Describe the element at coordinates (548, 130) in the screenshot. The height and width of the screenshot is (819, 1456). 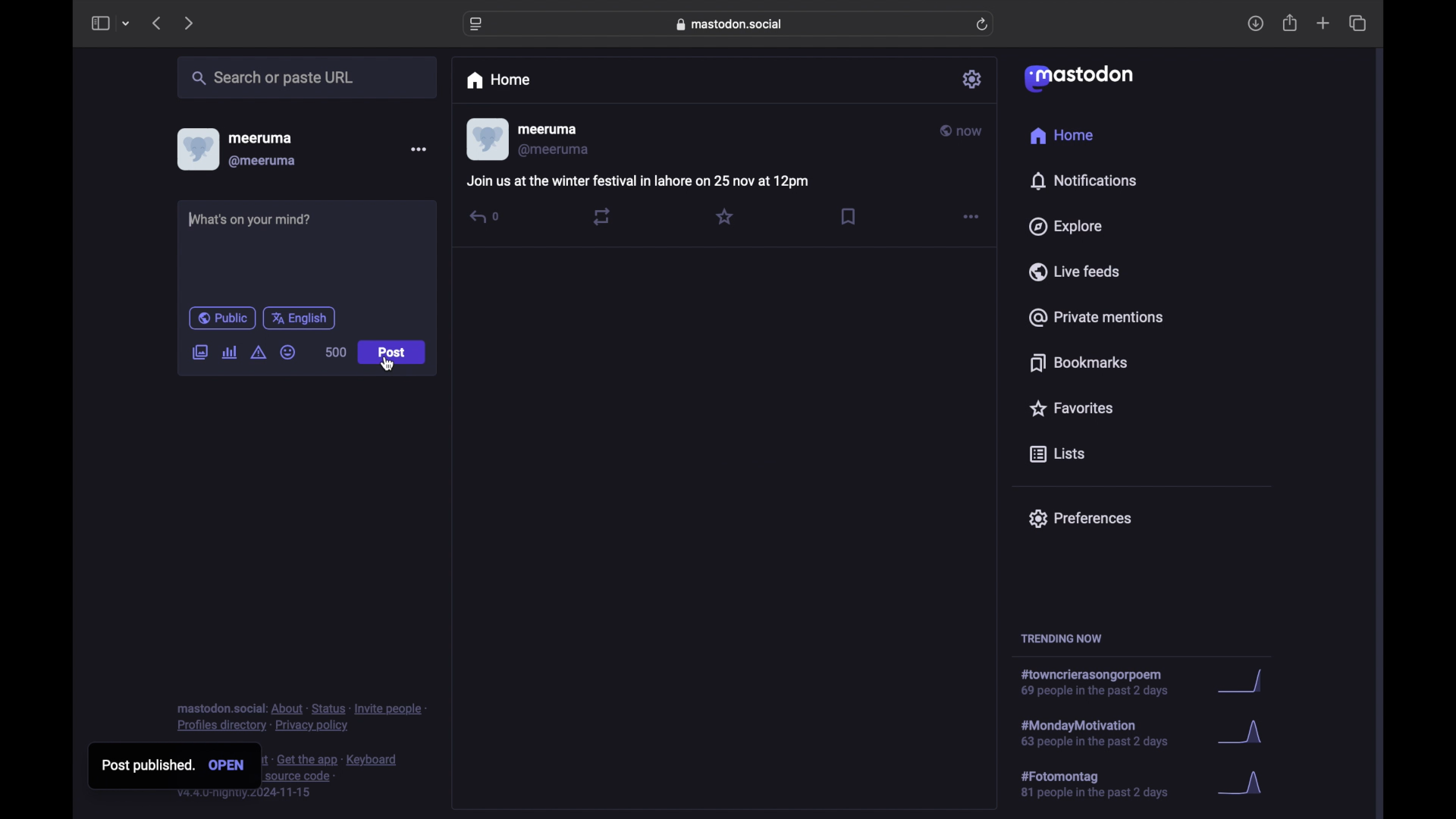
I see `meeruma` at that location.